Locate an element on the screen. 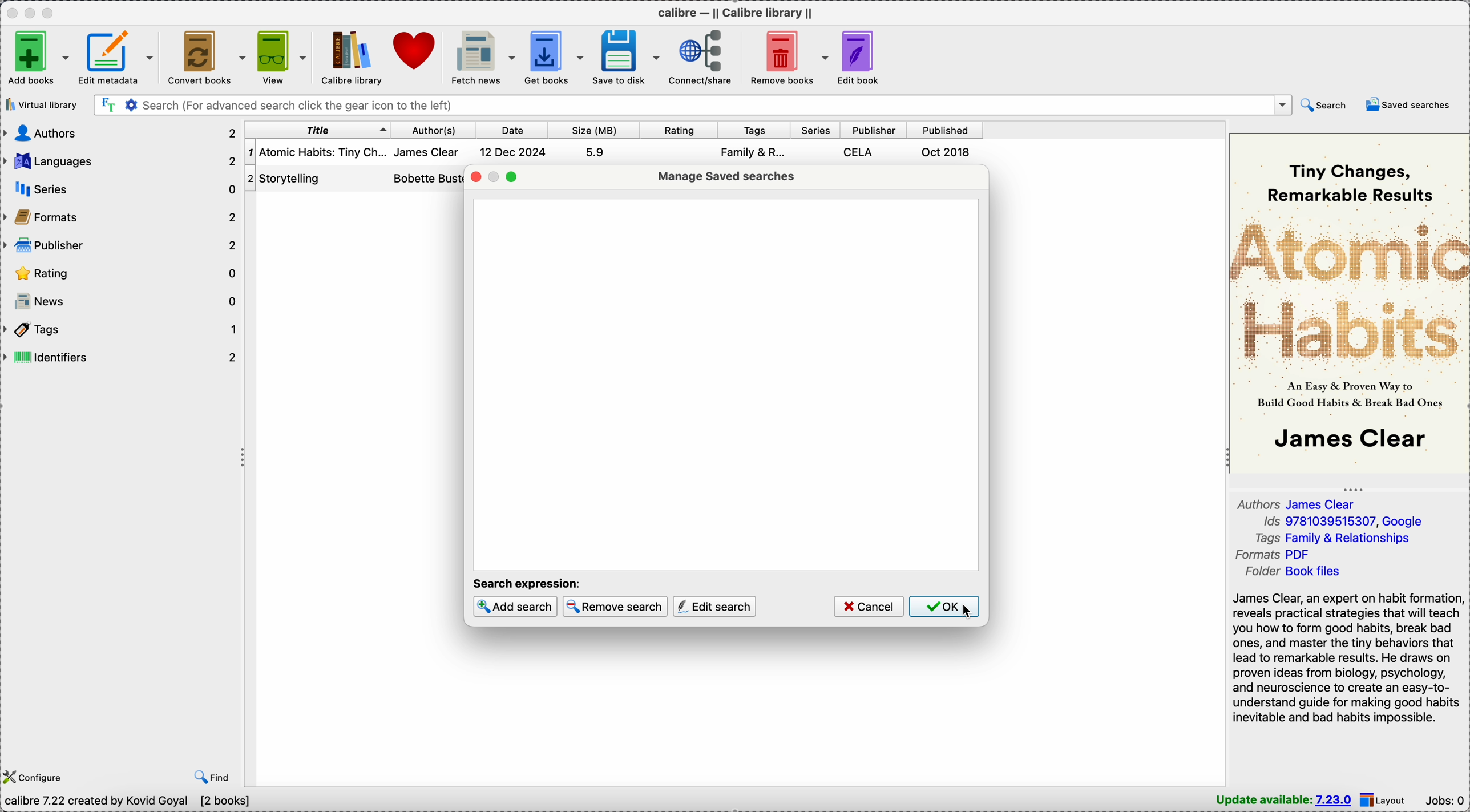 The height and width of the screenshot is (812, 1470). click on OK is located at coordinates (948, 608).